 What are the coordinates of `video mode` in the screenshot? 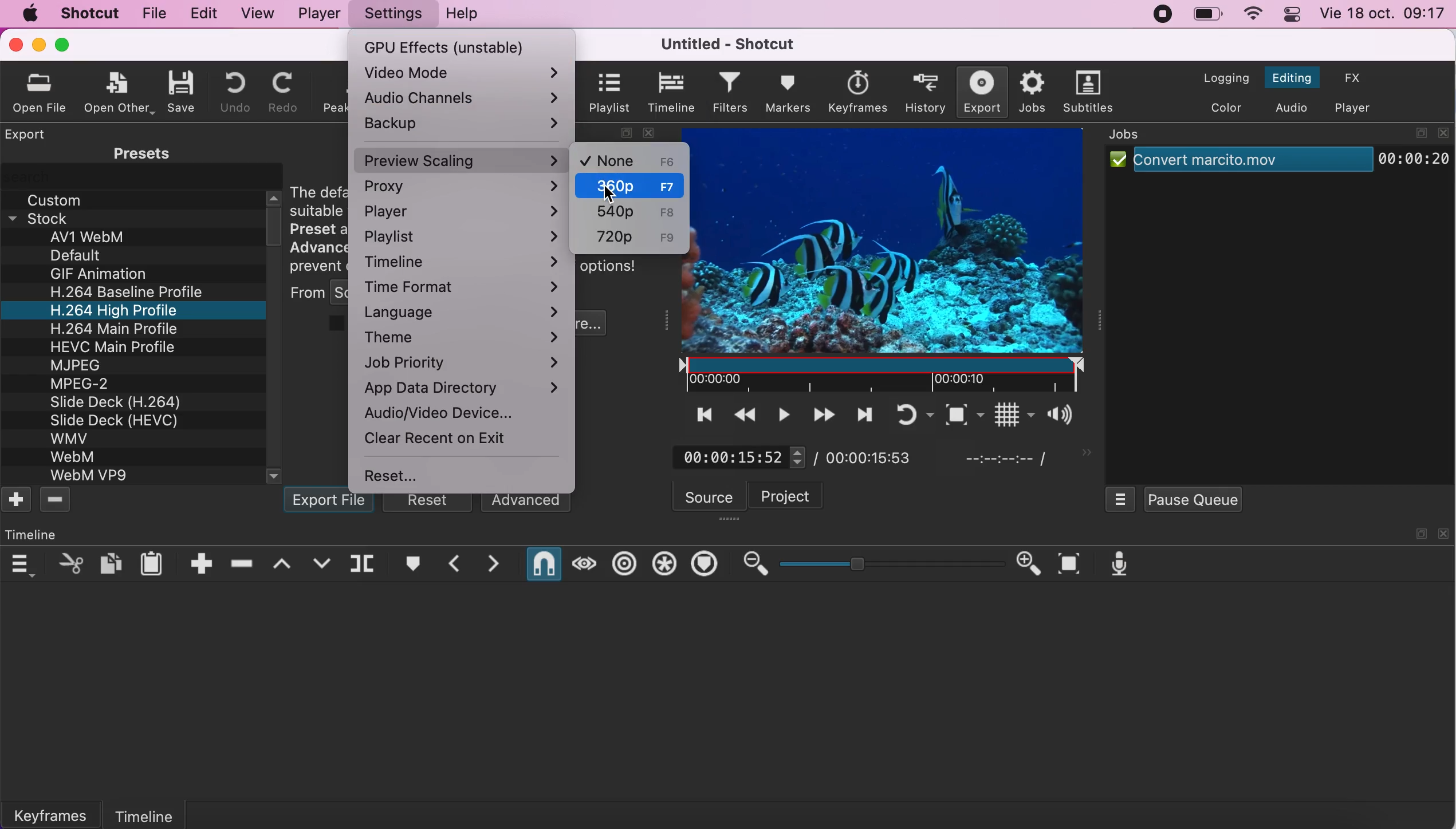 It's located at (461, 73).